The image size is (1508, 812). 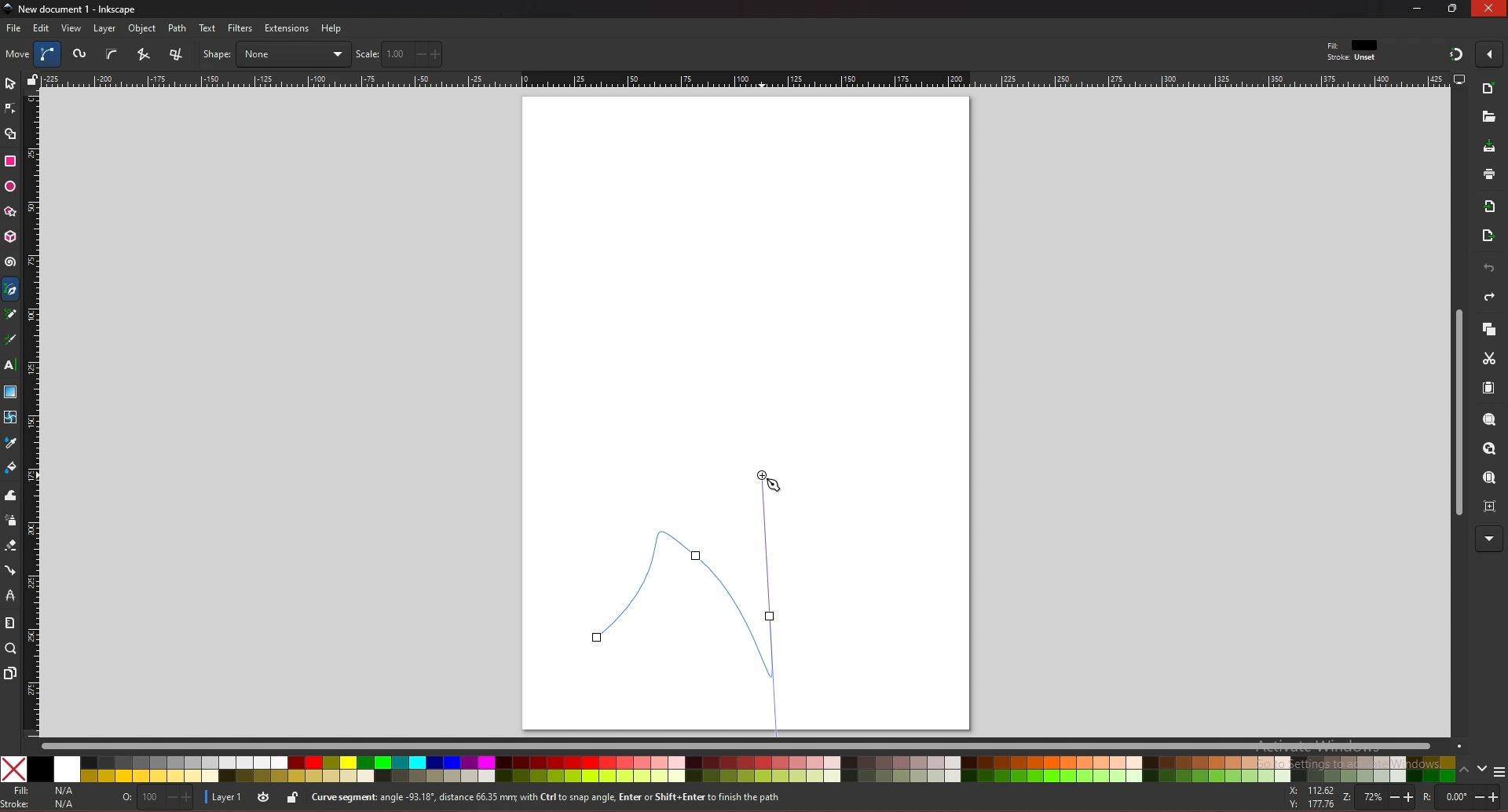 I want to click on shape, so click(x=276, y=54).